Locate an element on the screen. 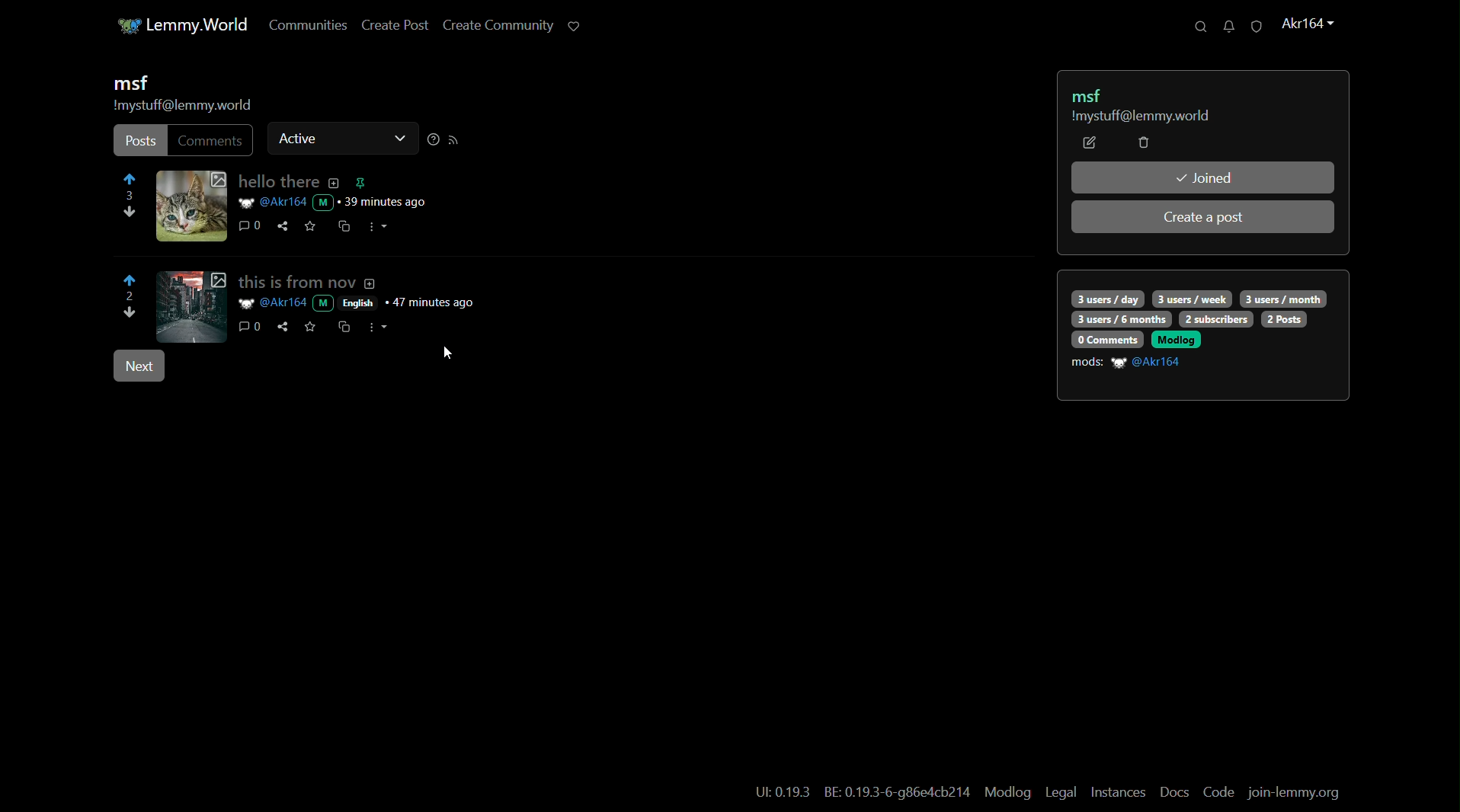  post-2 is located at coordinates (309, 281).